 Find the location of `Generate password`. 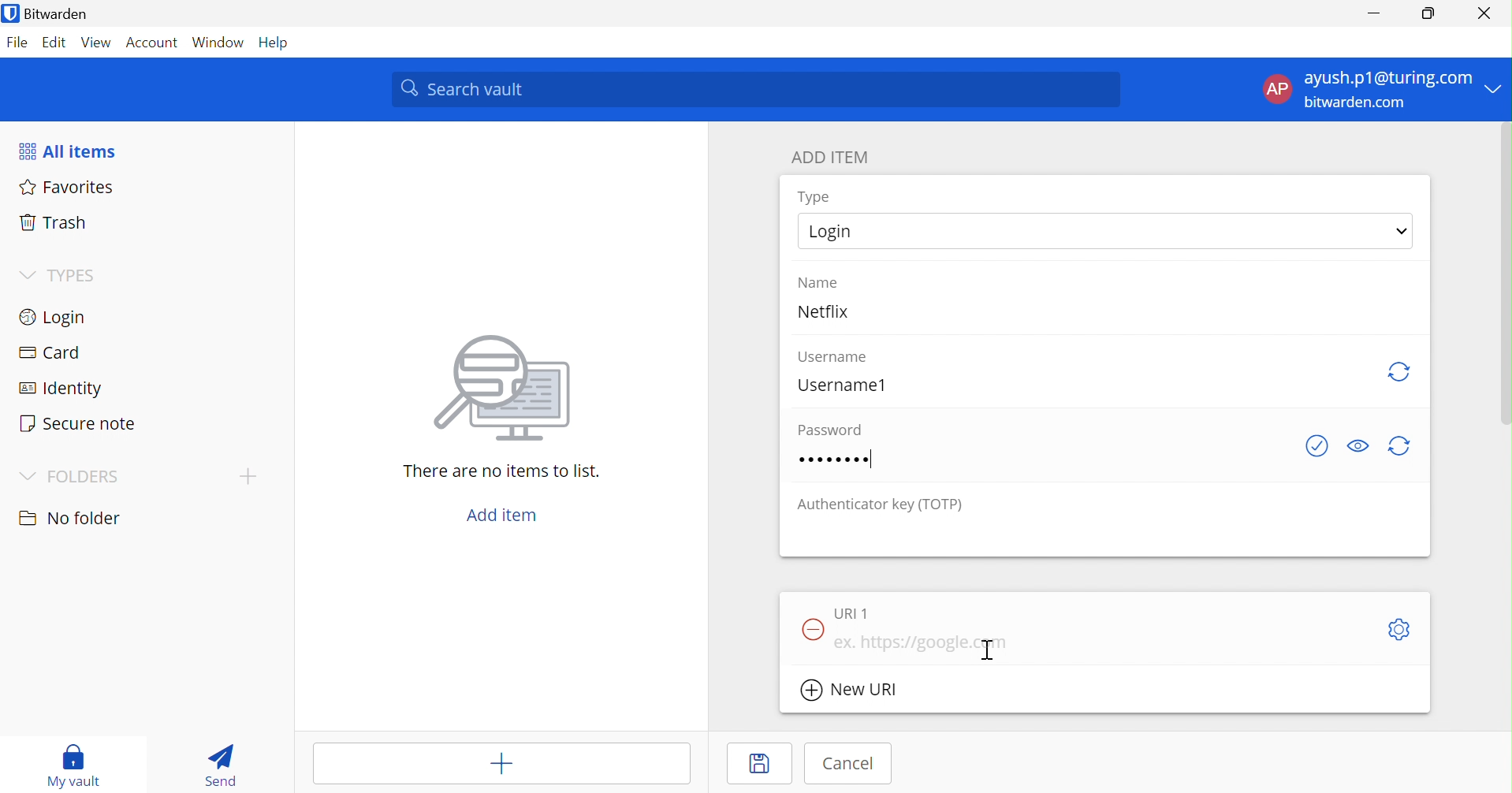

Generate password is located at coordinates (1398, 446).